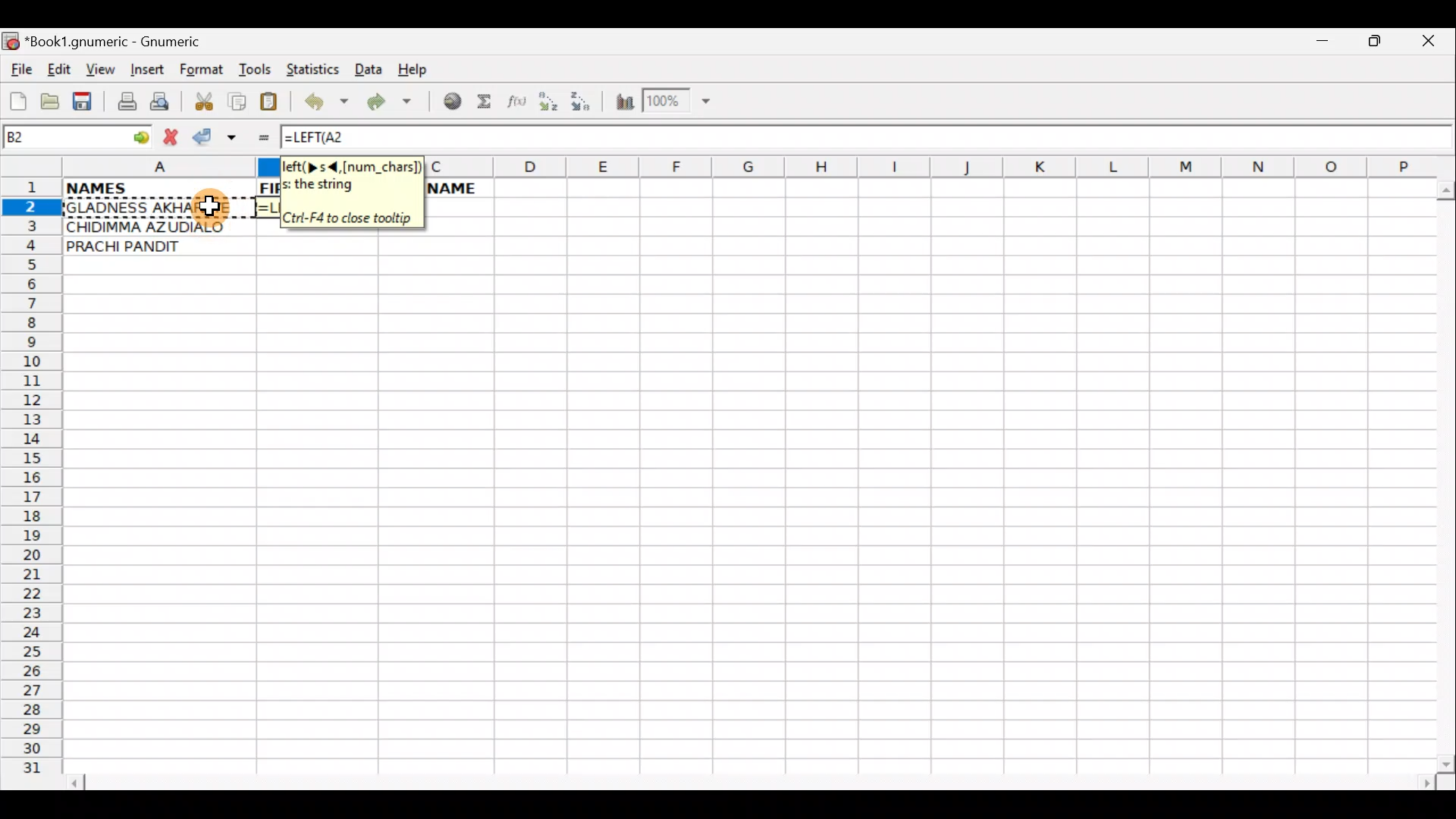  I want to click on Sum in the current cell, so click(489, 102).